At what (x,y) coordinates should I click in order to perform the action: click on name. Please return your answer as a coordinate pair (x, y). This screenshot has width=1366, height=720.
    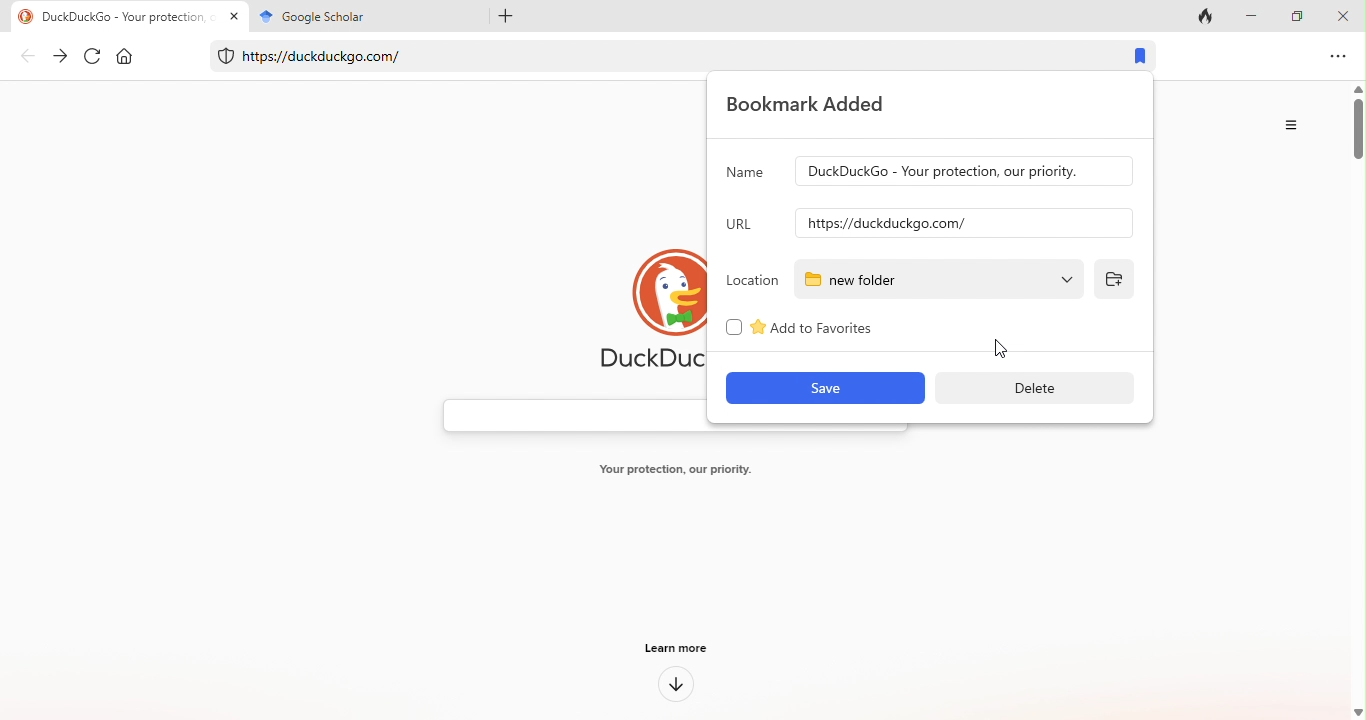
    Looking at the image, I should click on (748, 172).